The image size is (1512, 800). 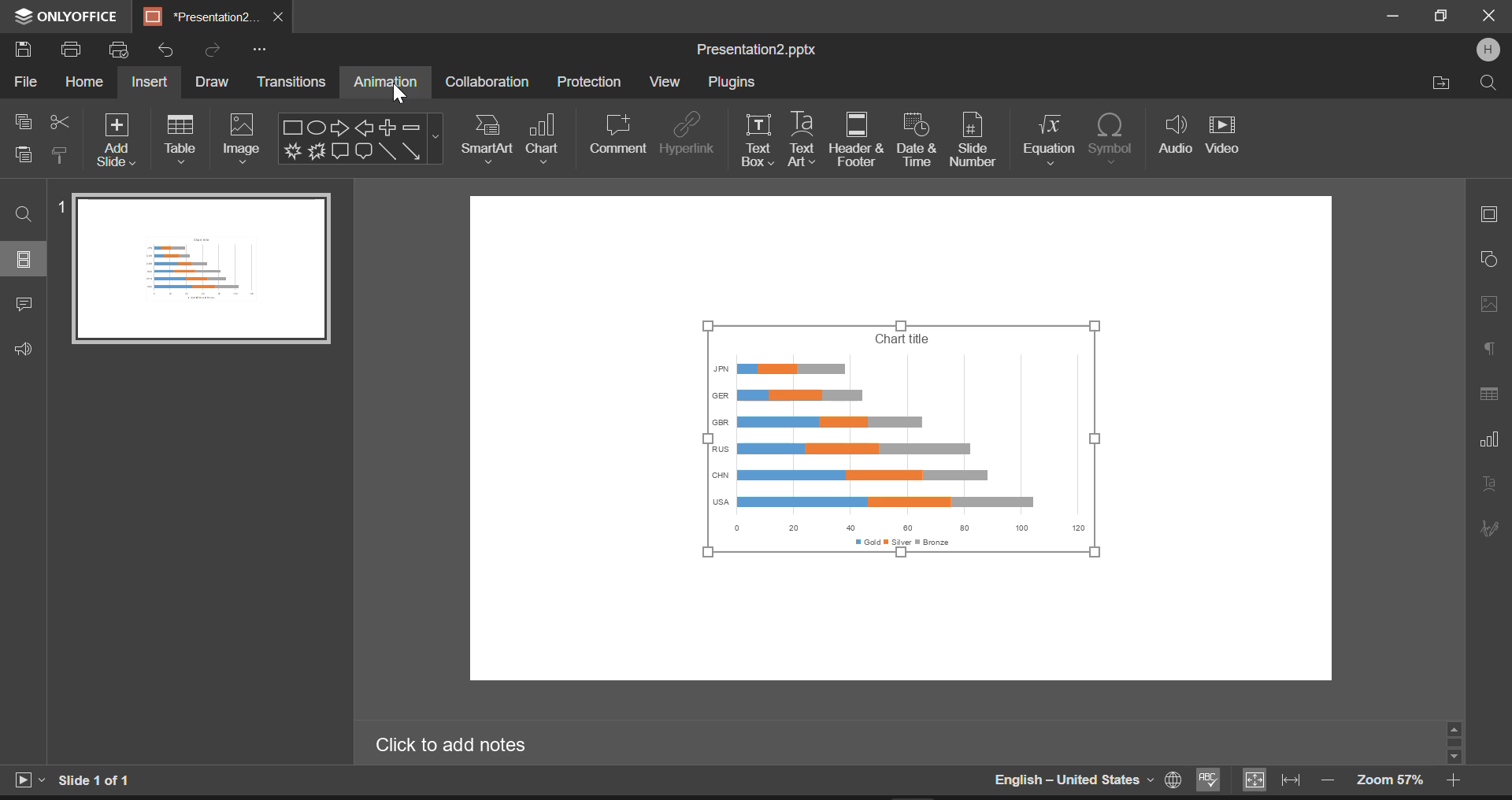 I want to click on File, so click(x=24, y=85).